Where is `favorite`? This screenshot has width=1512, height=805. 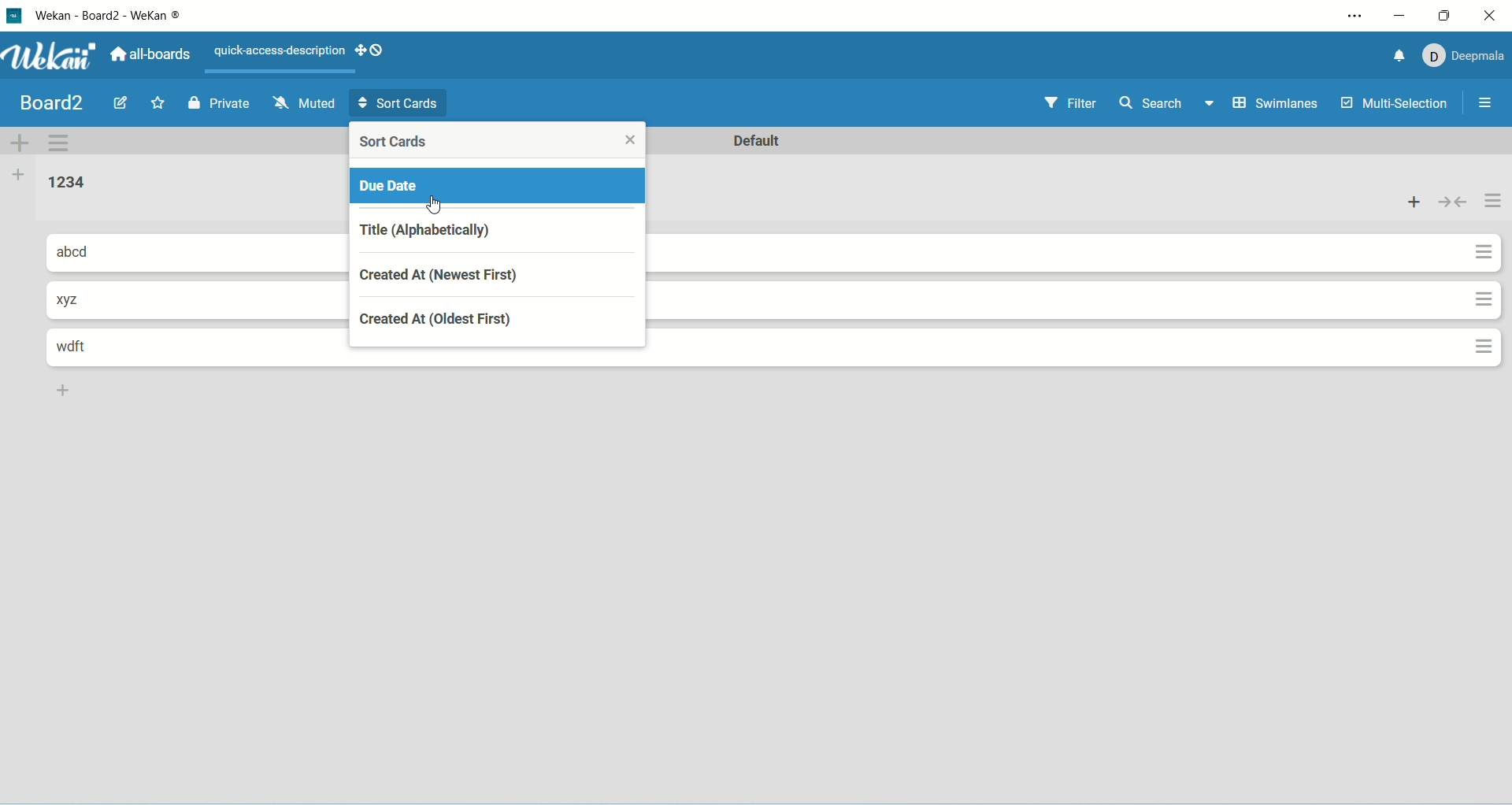 favorite is located at coordinates (159, 105).